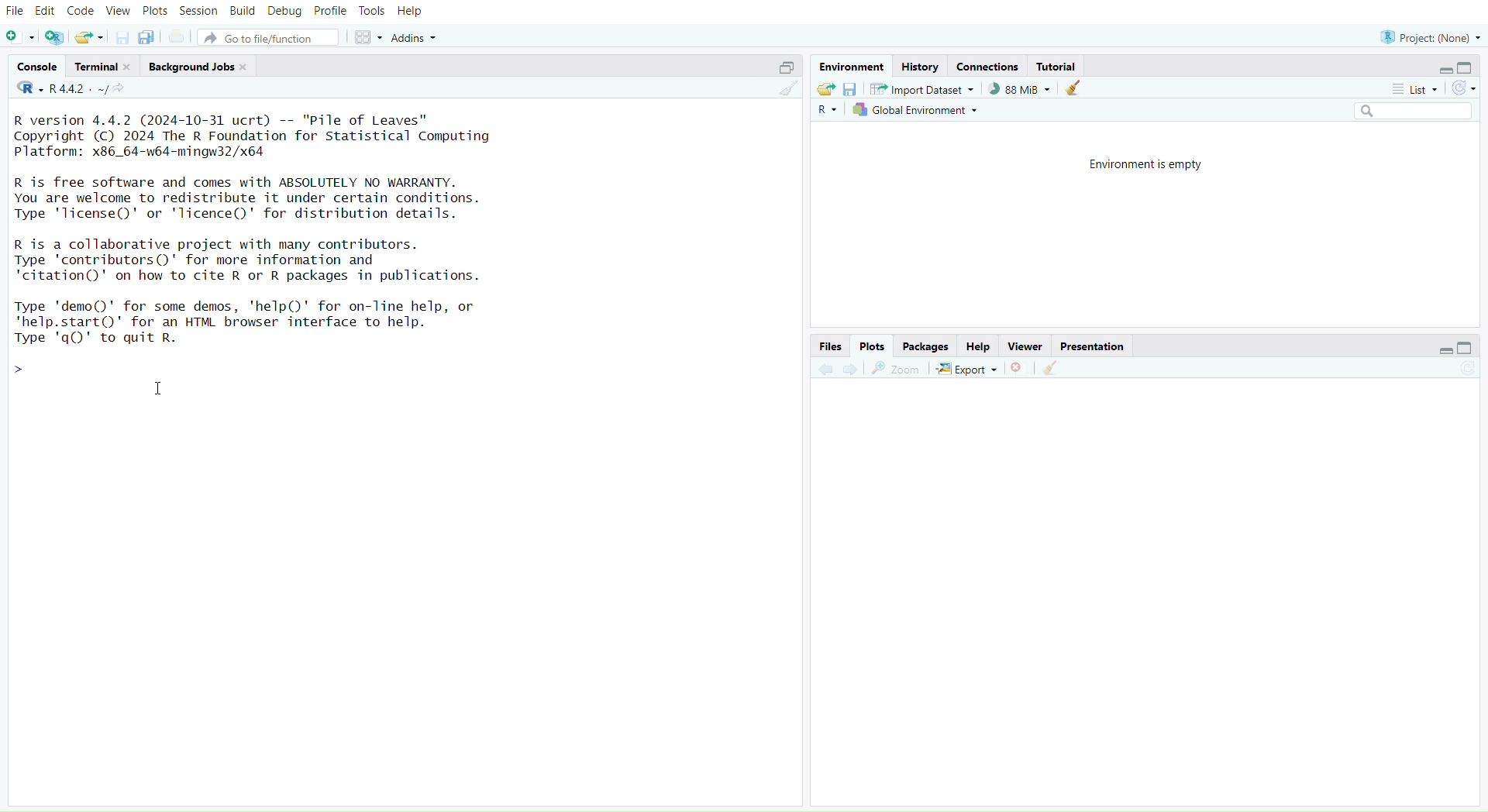 The image size is (1488, 812). I want to click on build, so click(243, 11).